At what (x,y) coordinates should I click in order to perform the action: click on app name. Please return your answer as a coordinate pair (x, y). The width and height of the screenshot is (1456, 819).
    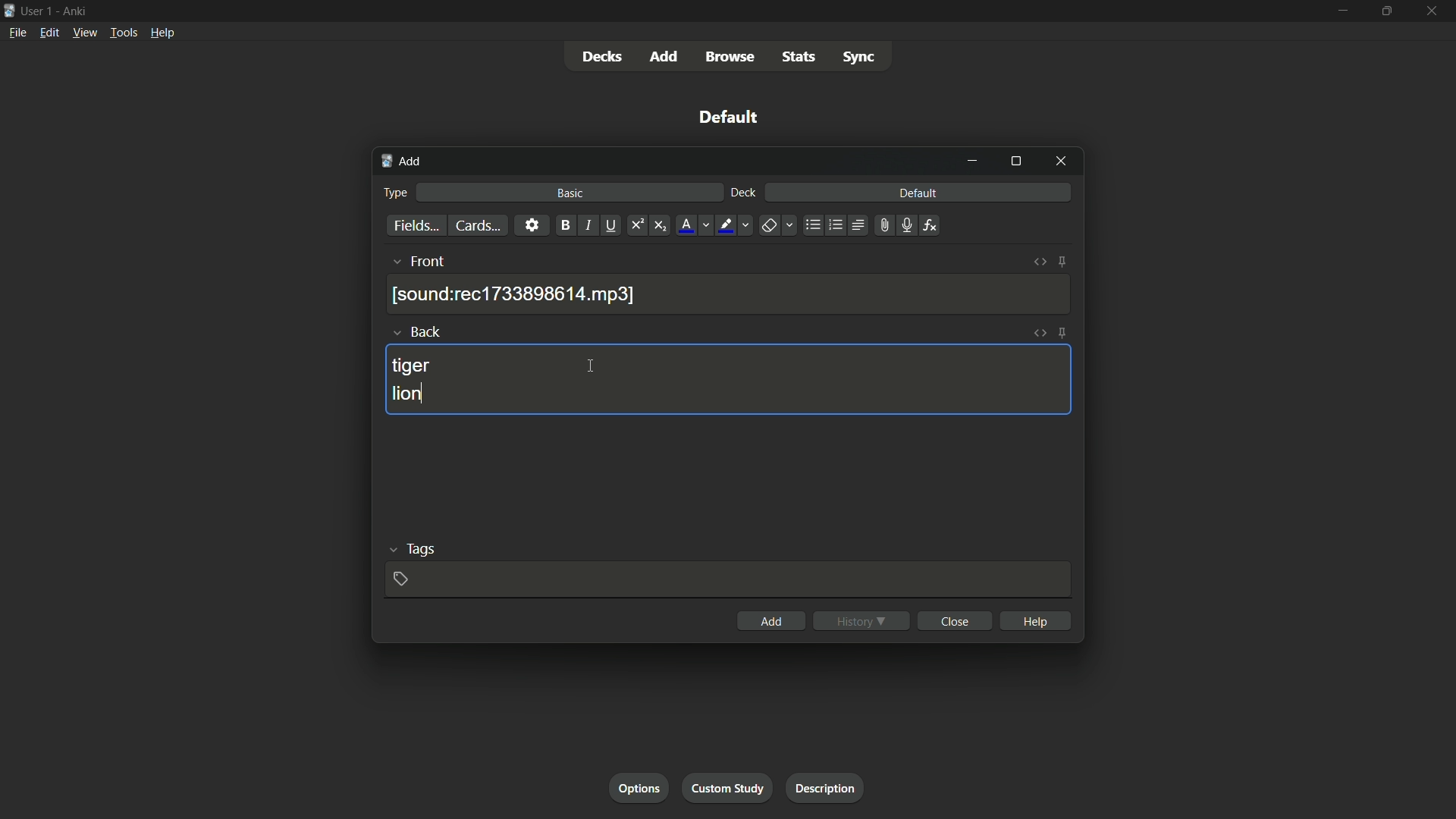
    Looking at the image, I should click on (74, 11).